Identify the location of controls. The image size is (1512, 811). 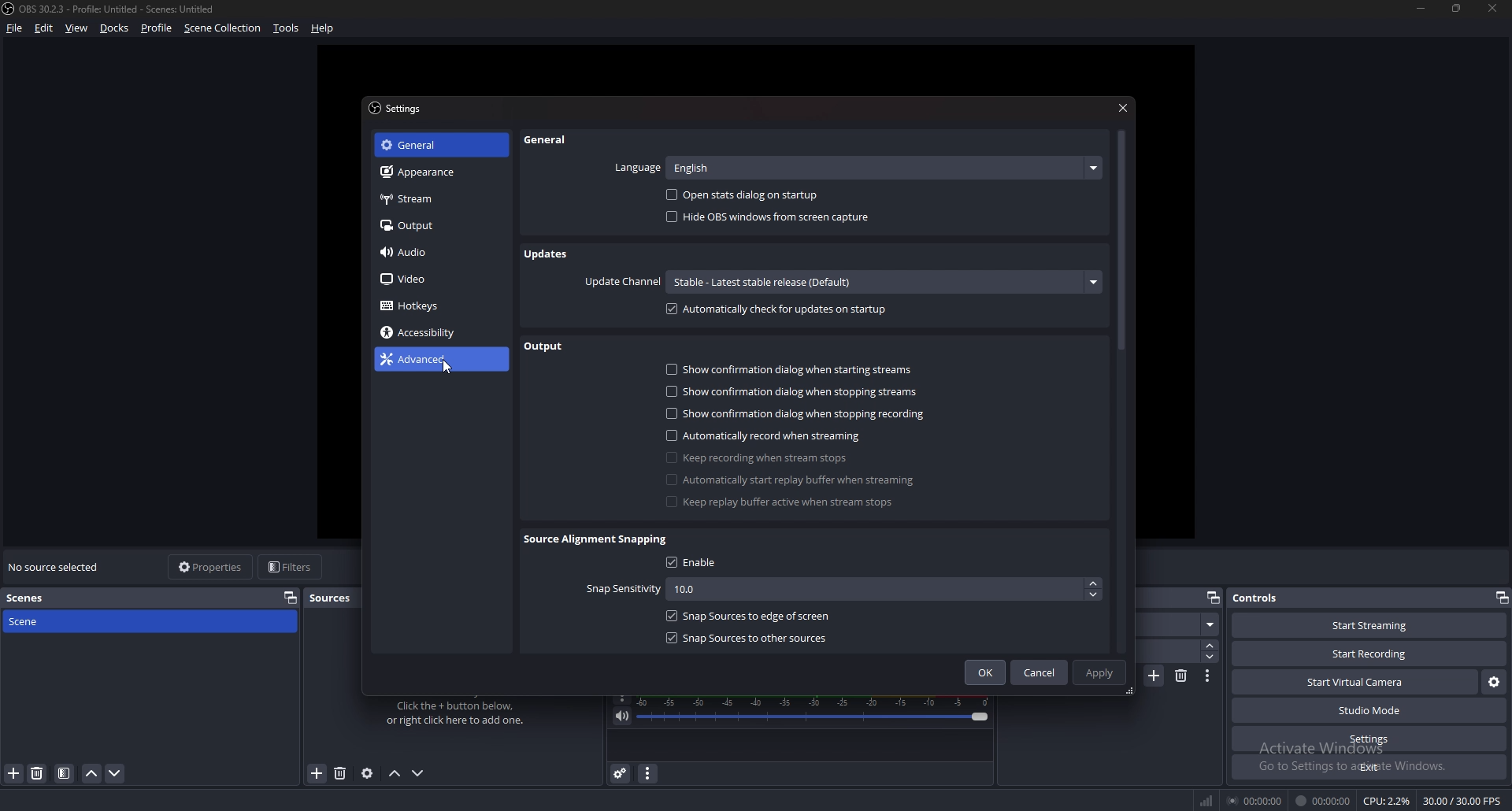
(1263, 597).